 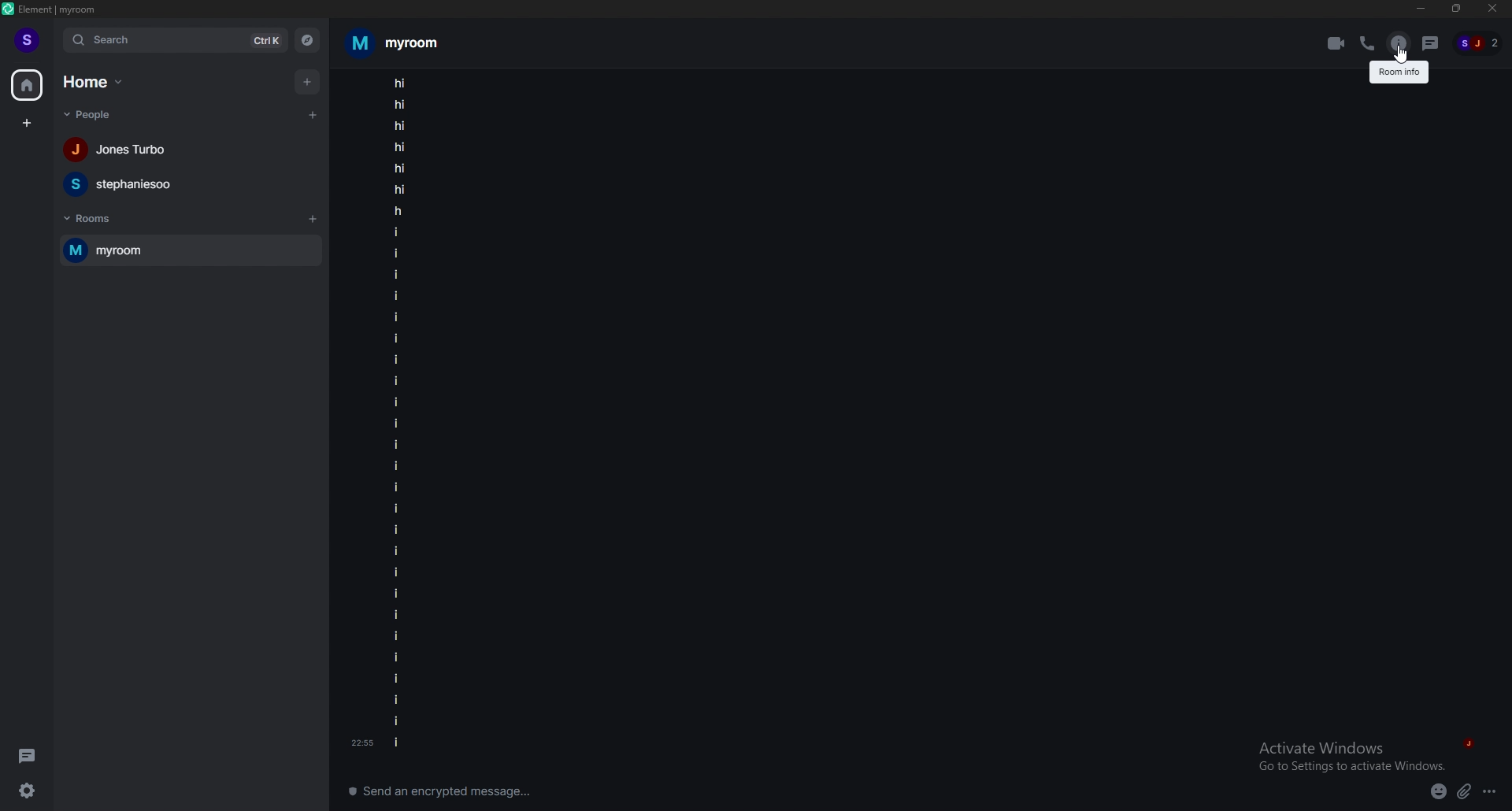 What do you see at coordinates (1492, 8) in the screenshot?
I see `close` at bounding box center [1492, 8].